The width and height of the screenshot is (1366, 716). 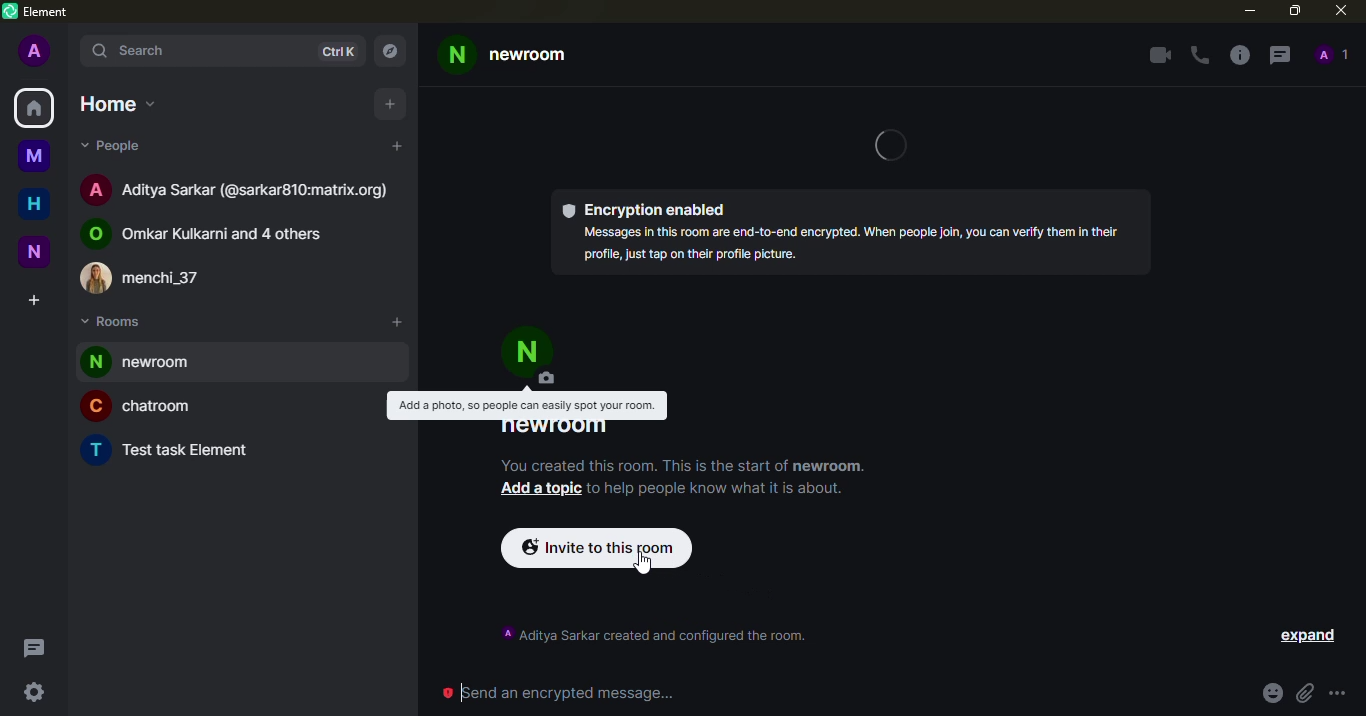 I want to click on home, so click(x=34, y=107).